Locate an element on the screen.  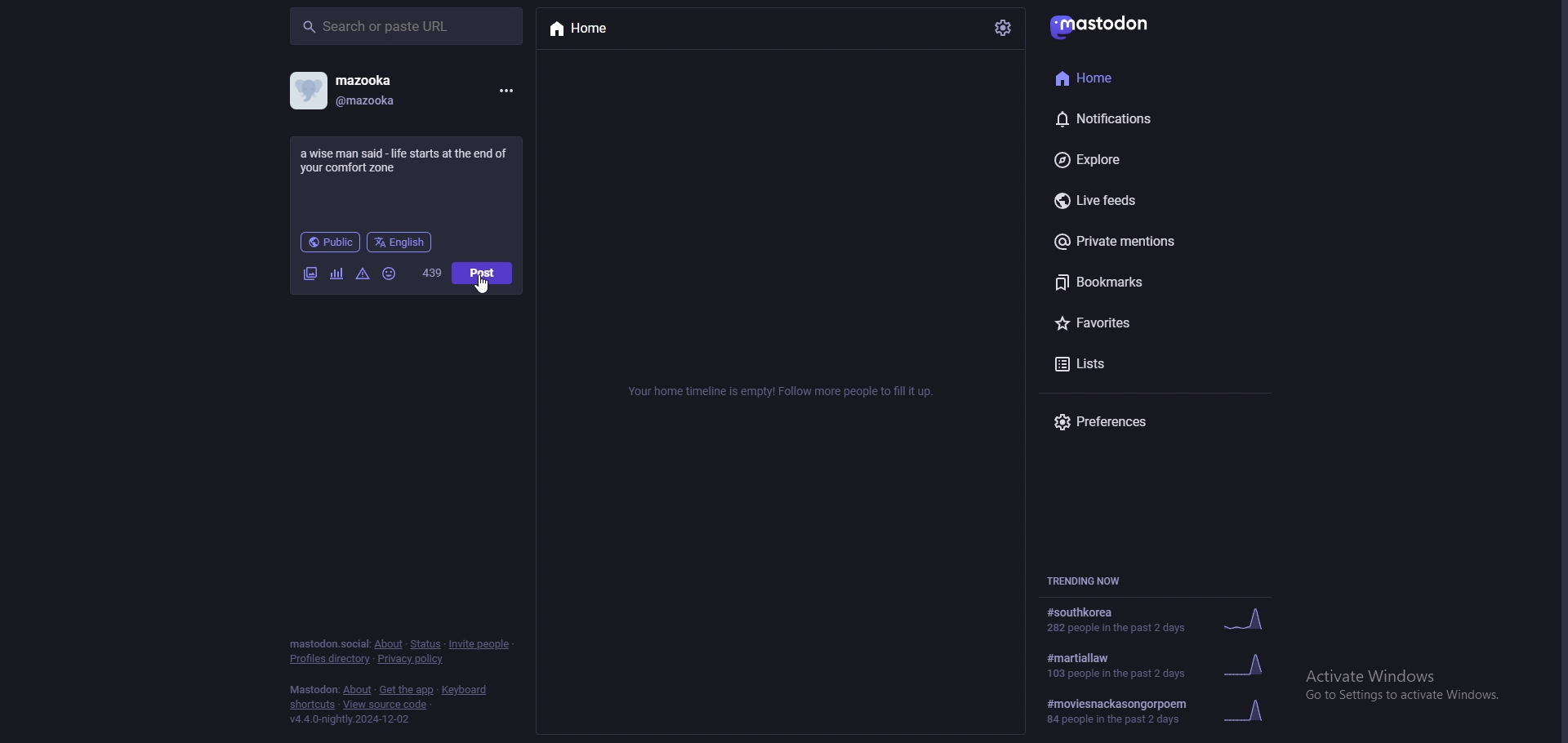
trending is located at coordinates (1158, 665).